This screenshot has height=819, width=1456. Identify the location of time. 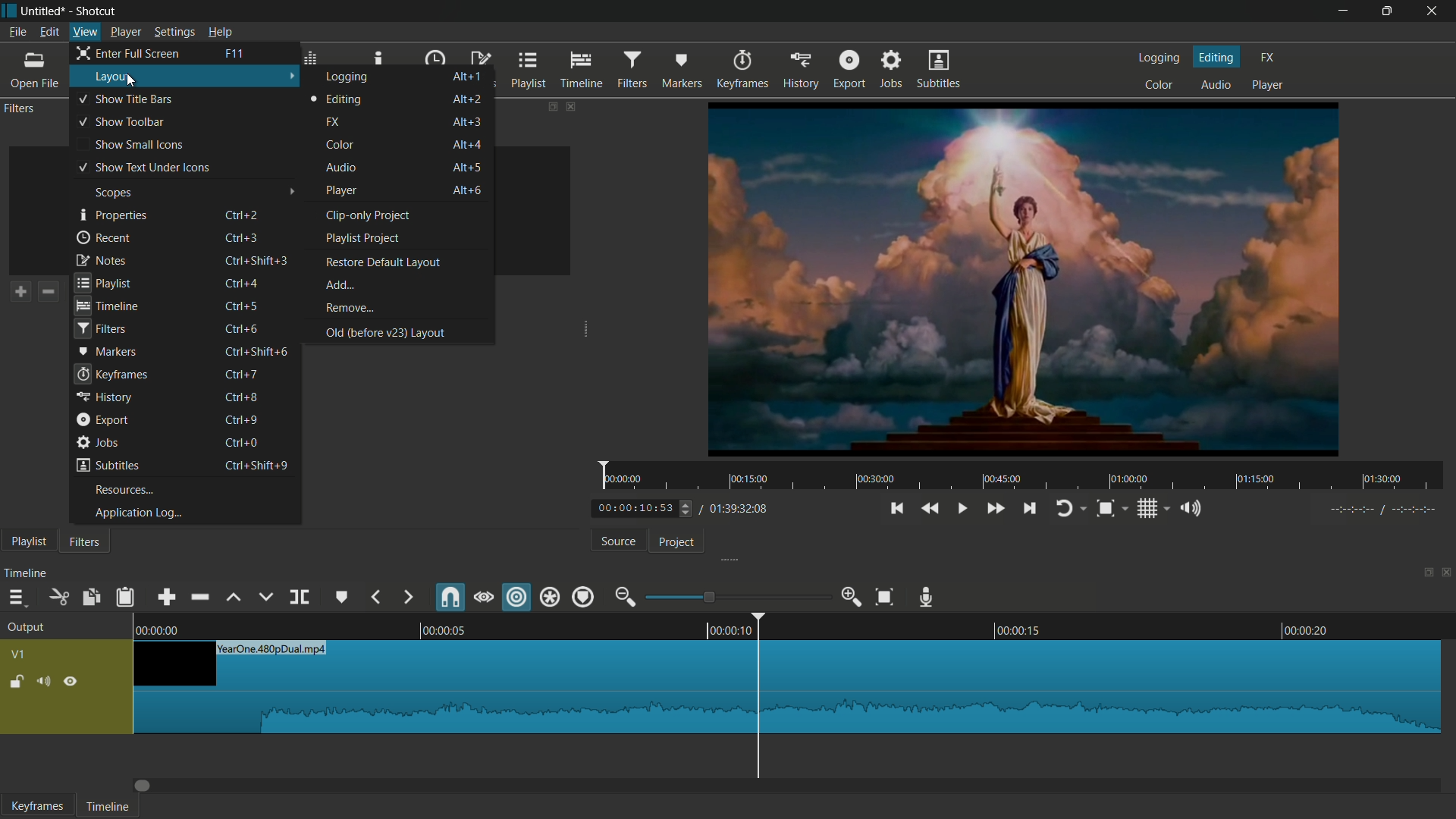
(1026, 476).